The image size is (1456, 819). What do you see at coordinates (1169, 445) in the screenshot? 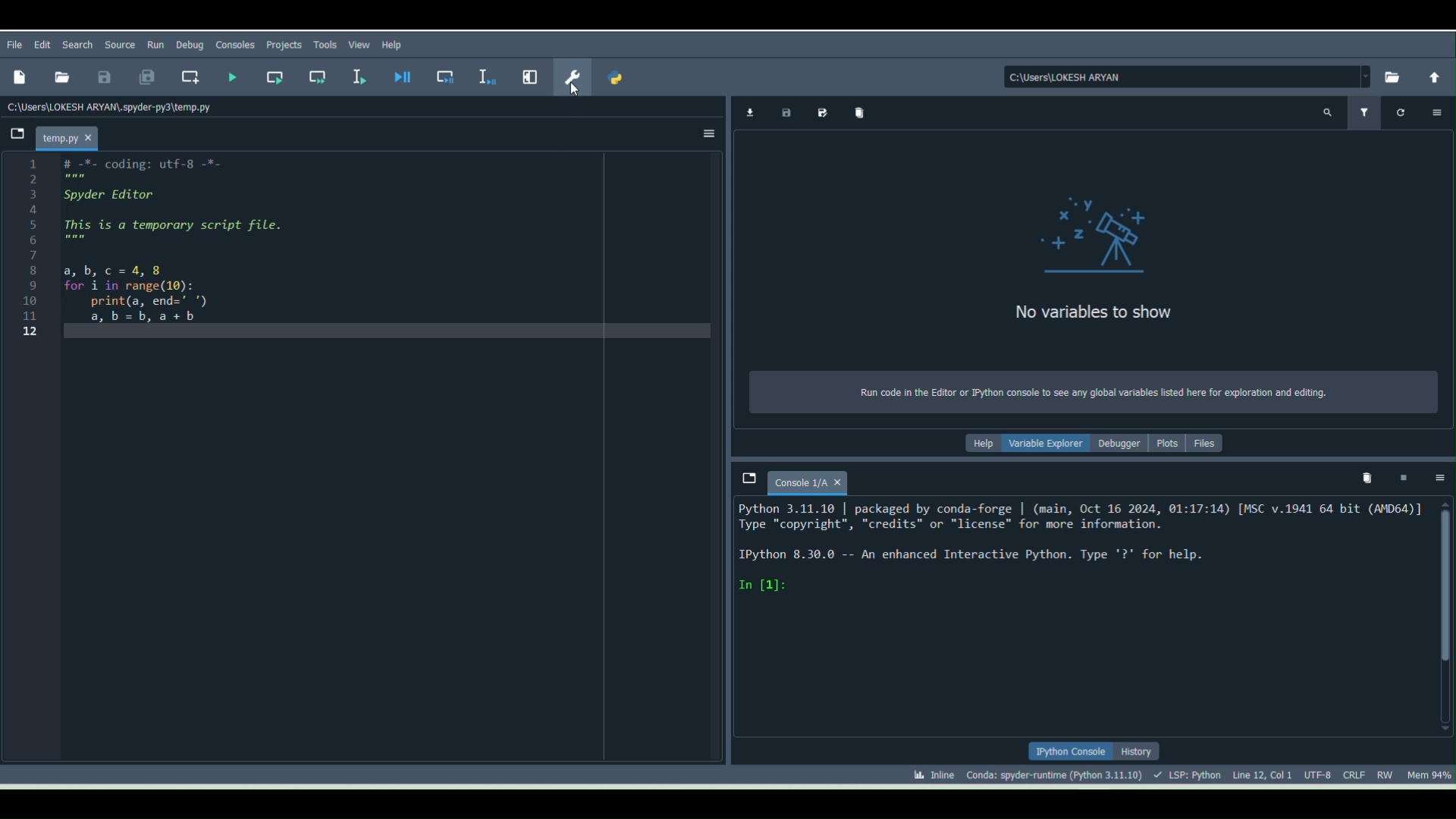
I see `Plots` at bounding box center [1169, 445].